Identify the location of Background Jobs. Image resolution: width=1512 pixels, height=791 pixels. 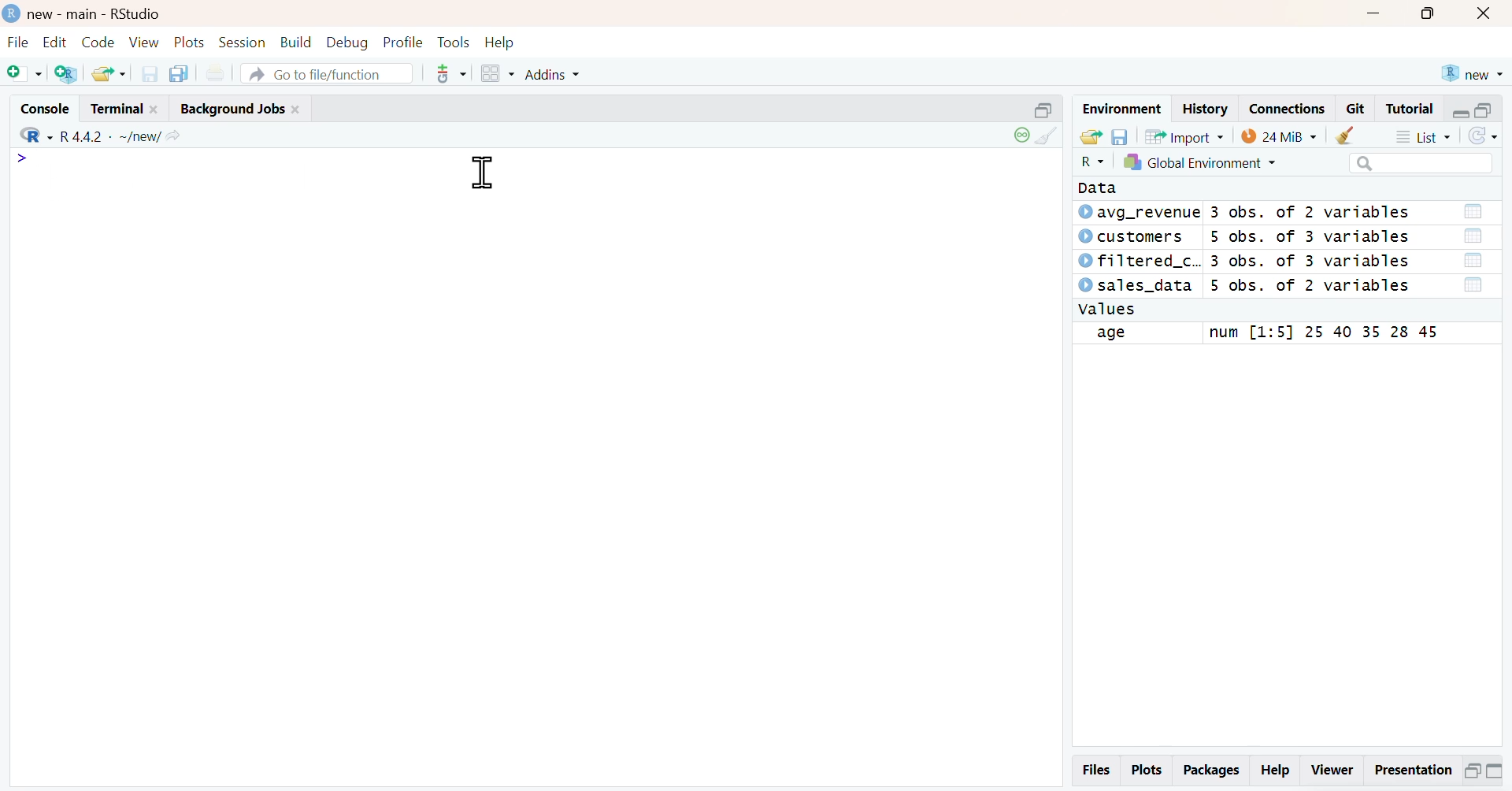
(239, 108).